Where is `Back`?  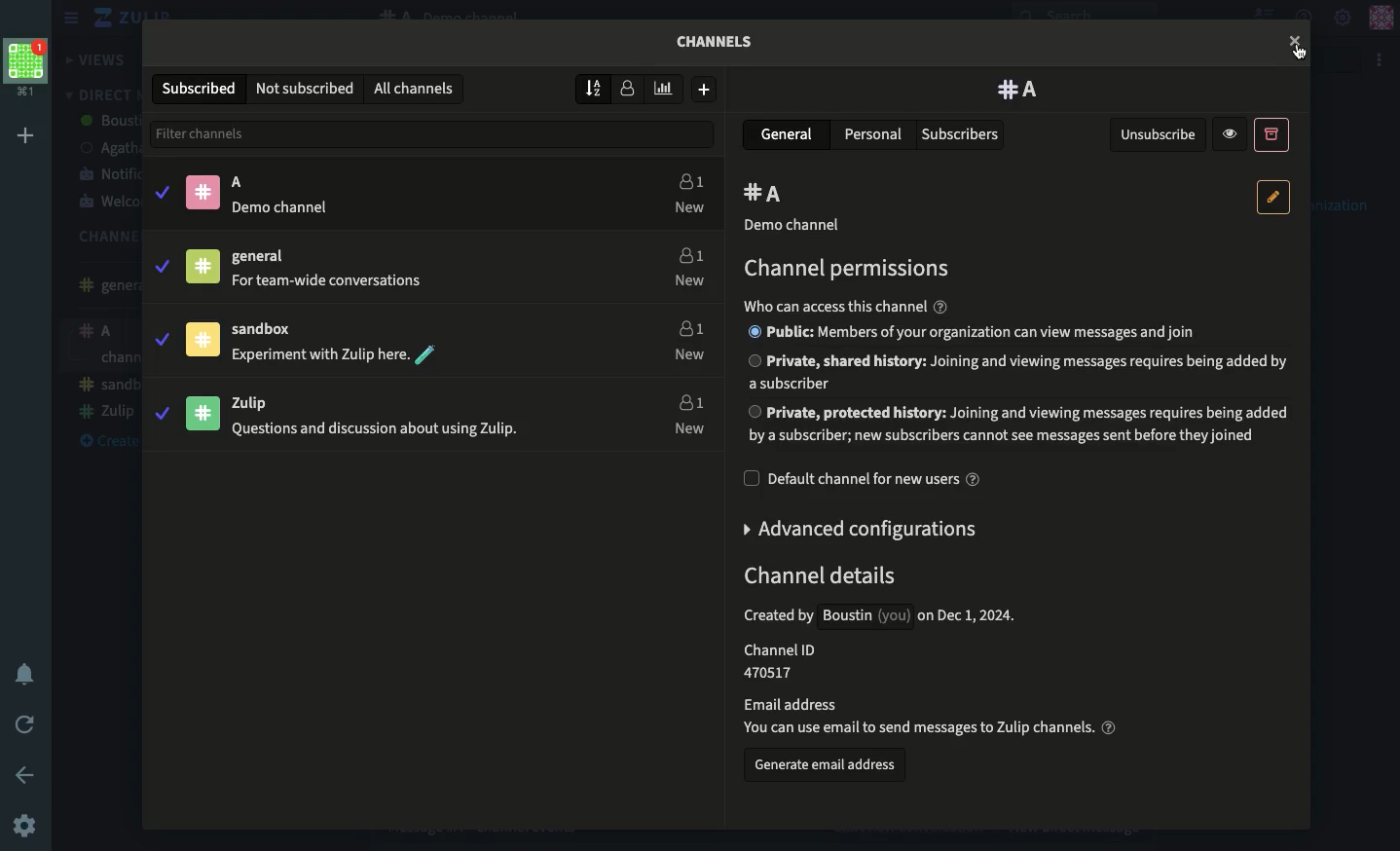 Back is located at coordinates (28, 774).